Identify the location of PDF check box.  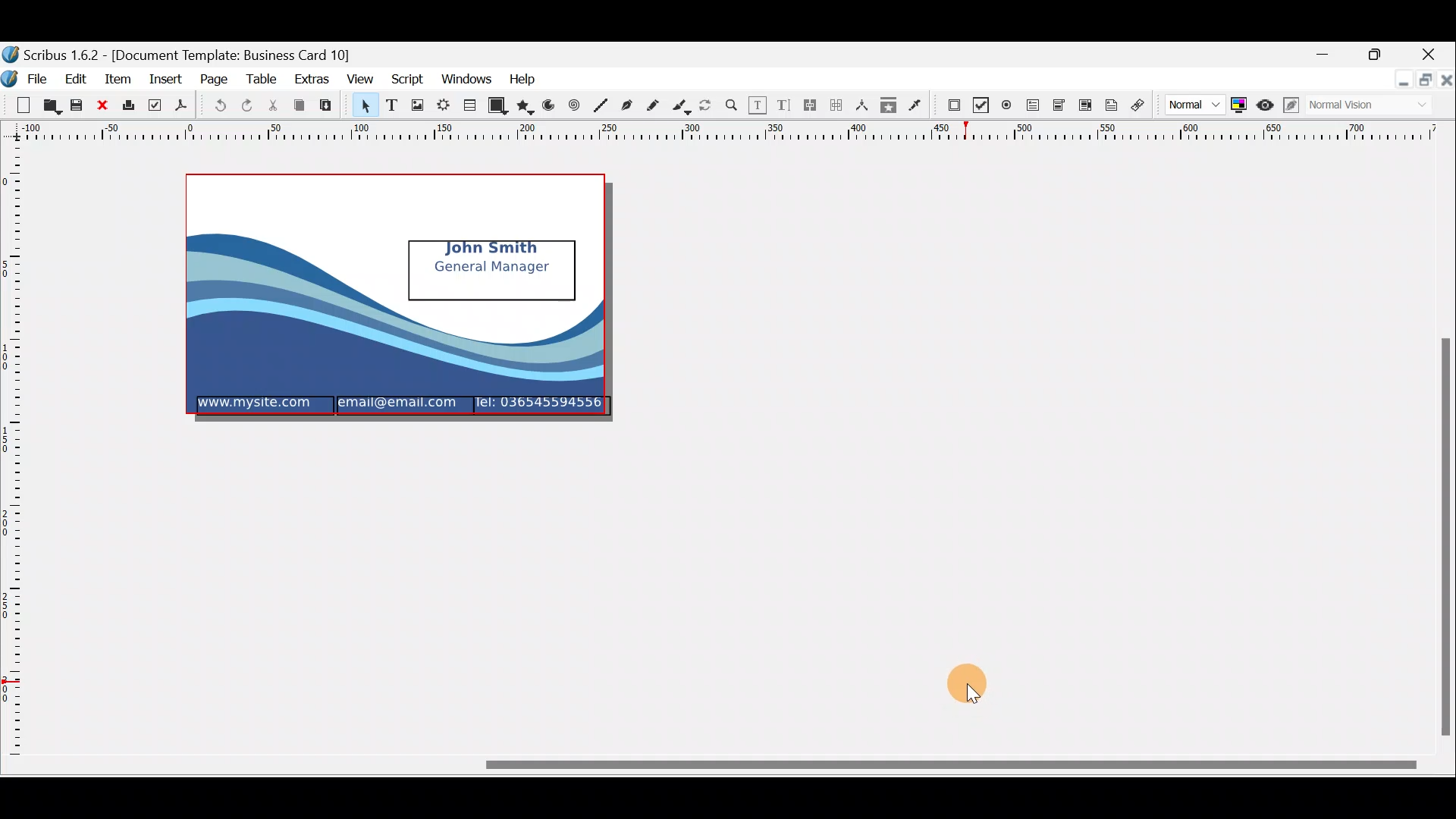
(979, 105).